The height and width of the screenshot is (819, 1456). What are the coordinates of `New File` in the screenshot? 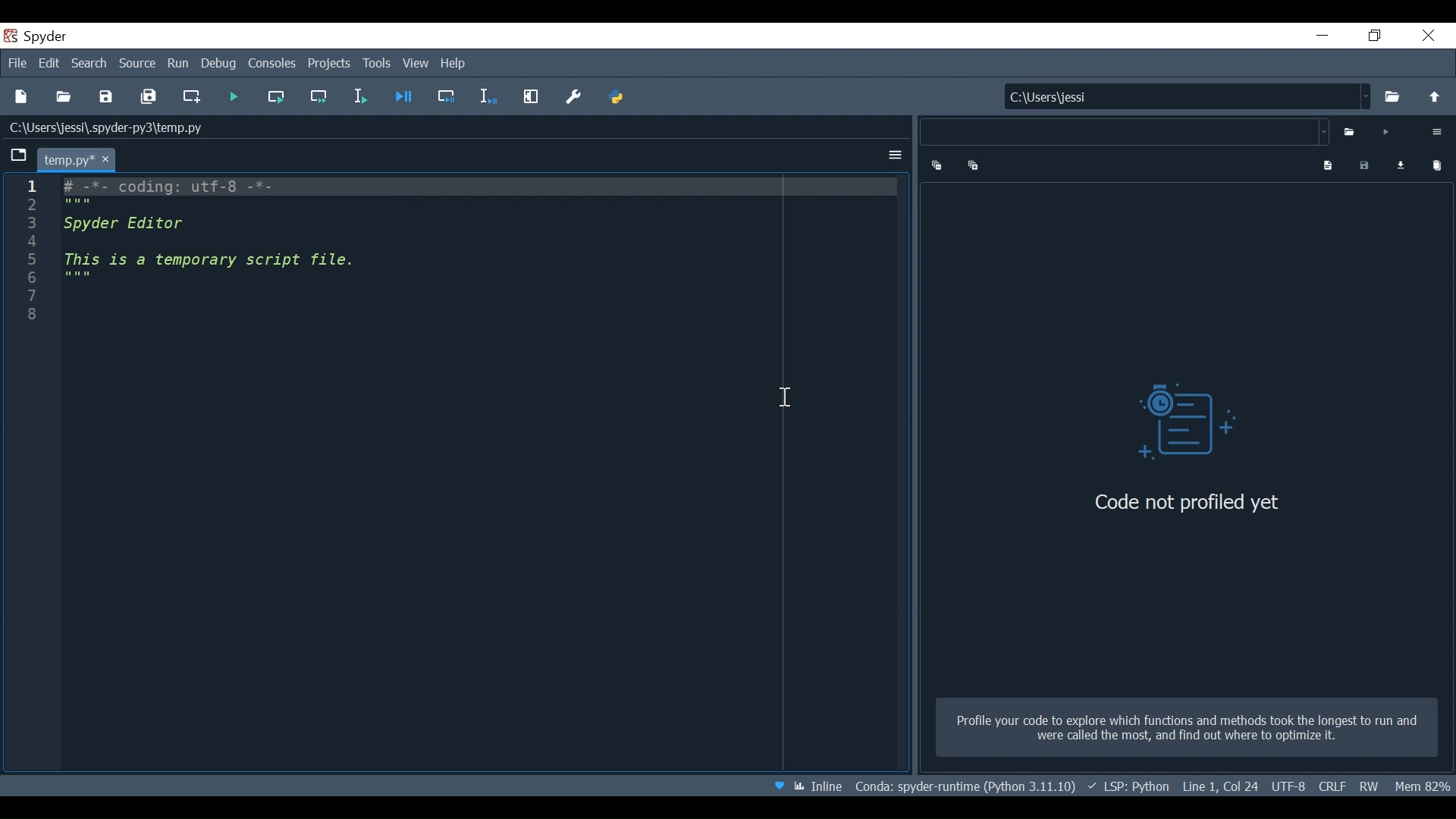 It's located at (21, 97).